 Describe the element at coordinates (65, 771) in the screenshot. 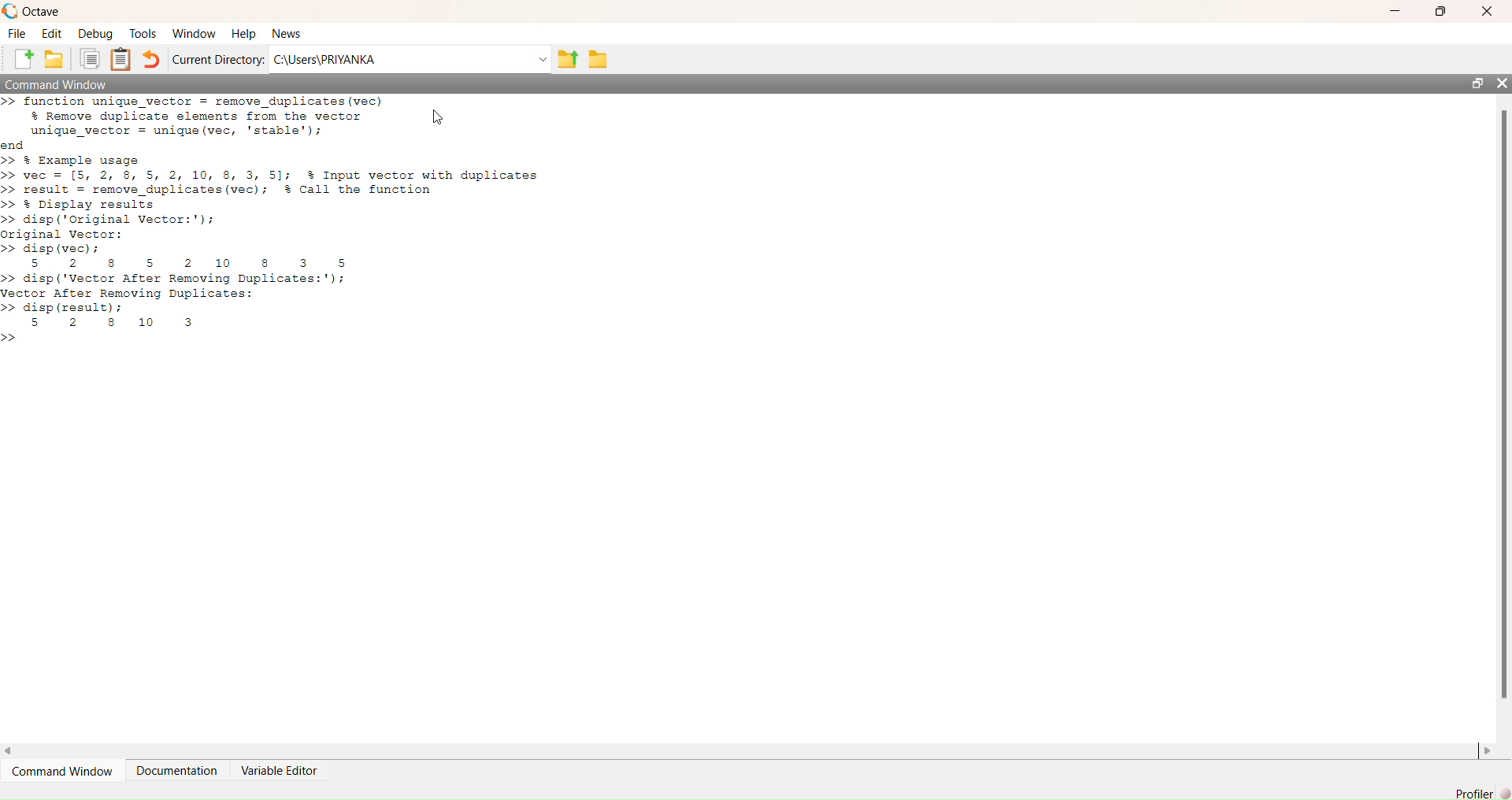

I see `command window` at that location.